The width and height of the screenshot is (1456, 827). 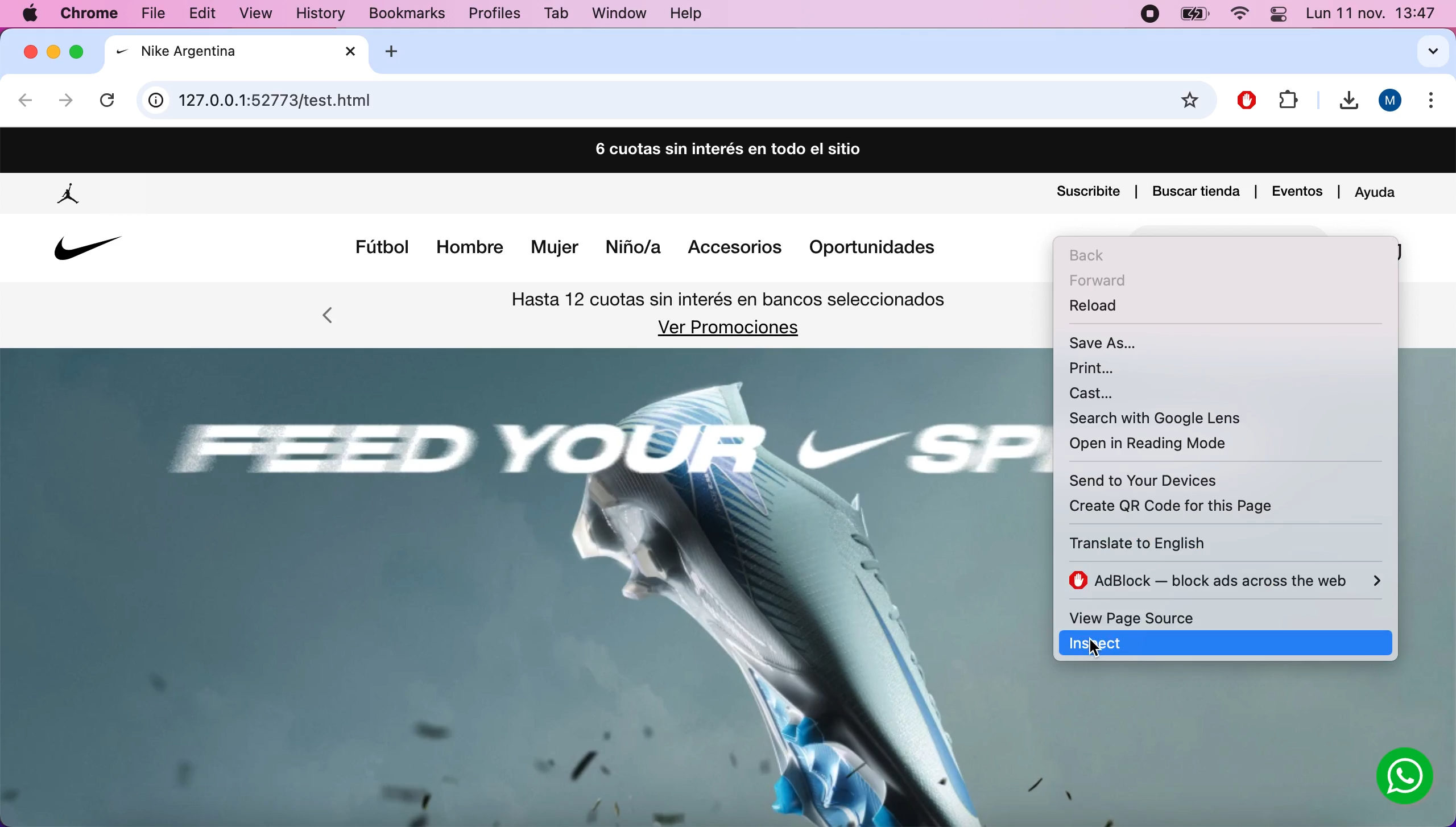 What do you see at coordinates (1190, 505) in the screenshot?
I see `create qr for this page` at bounding box center [1190, 505].